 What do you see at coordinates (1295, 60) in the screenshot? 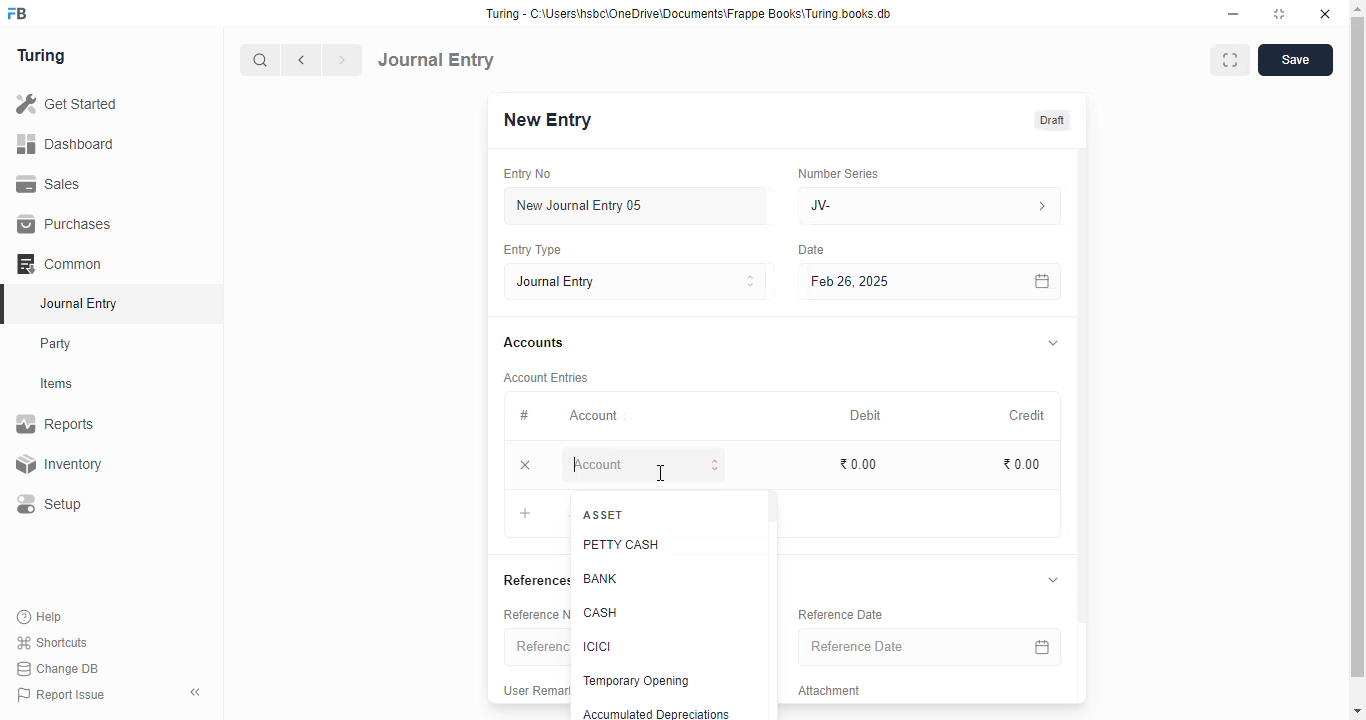
I see `save` at bounding box center [1295, 60].